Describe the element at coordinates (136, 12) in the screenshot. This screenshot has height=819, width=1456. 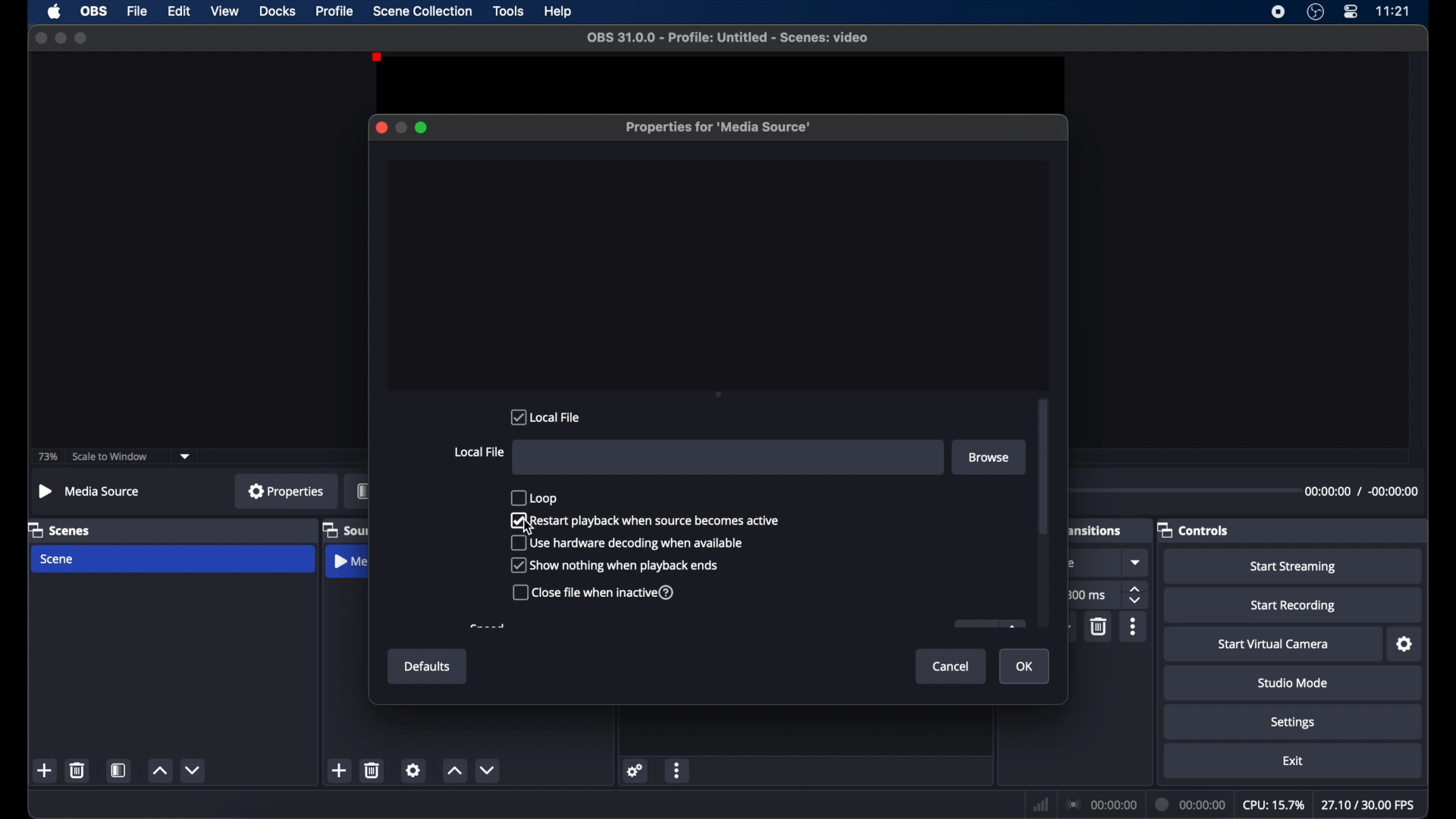
I see `file` at that location.